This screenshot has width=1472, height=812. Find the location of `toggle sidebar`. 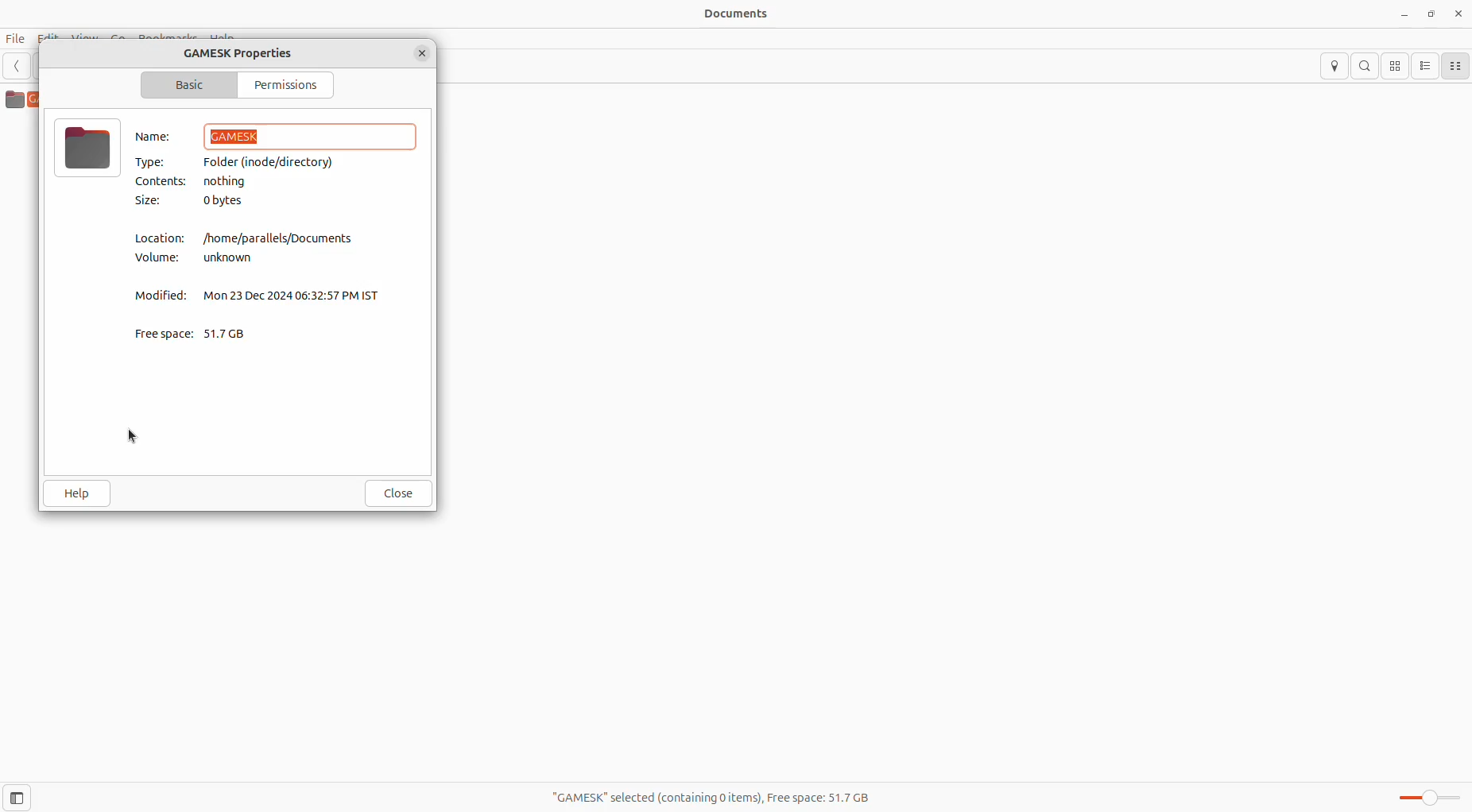

toggle sidebar is located at coordinates (25, 795).